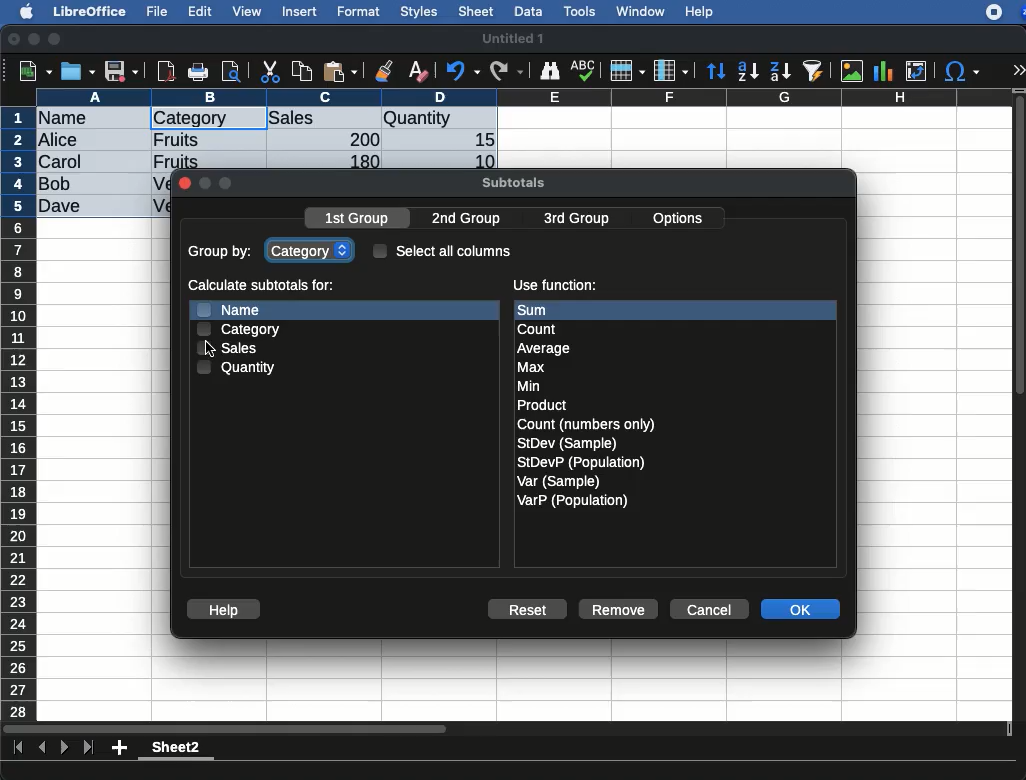  What do you see at coordinates (176, 160) in the screenshot?
I see `Fruits` at bounding box center [176, 160].